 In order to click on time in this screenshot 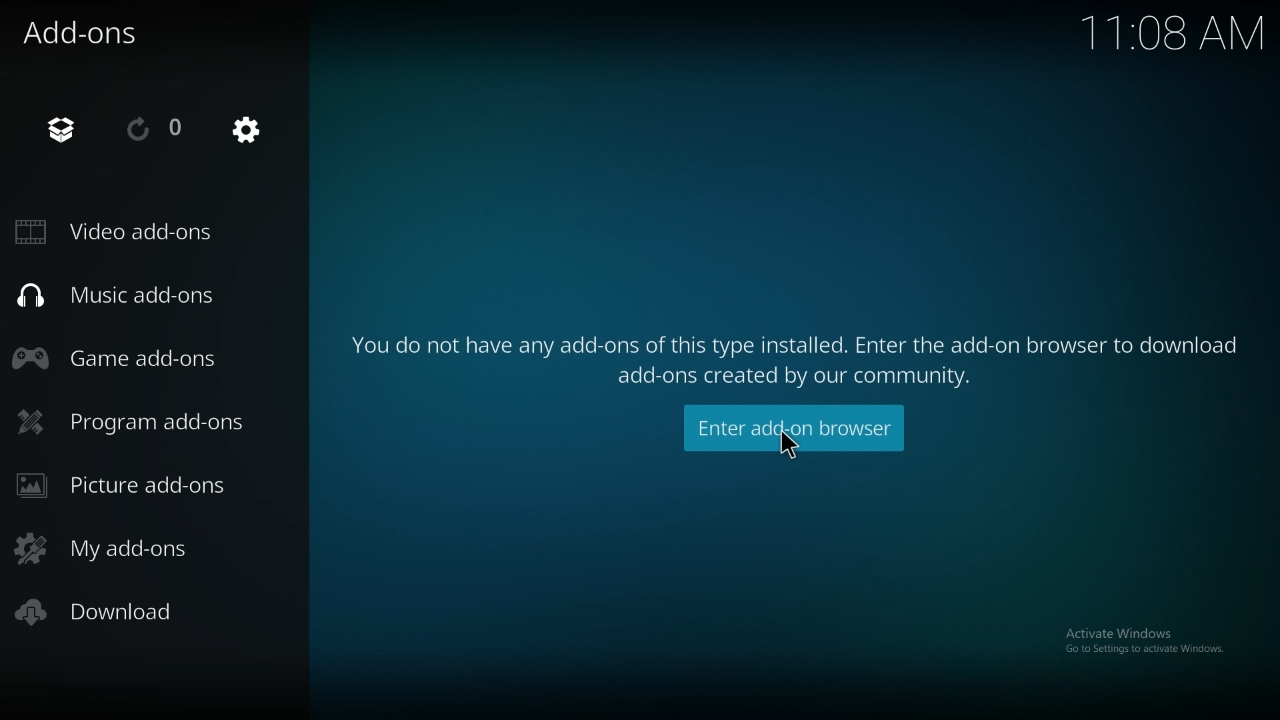, I will do `click(1168, 31)`.